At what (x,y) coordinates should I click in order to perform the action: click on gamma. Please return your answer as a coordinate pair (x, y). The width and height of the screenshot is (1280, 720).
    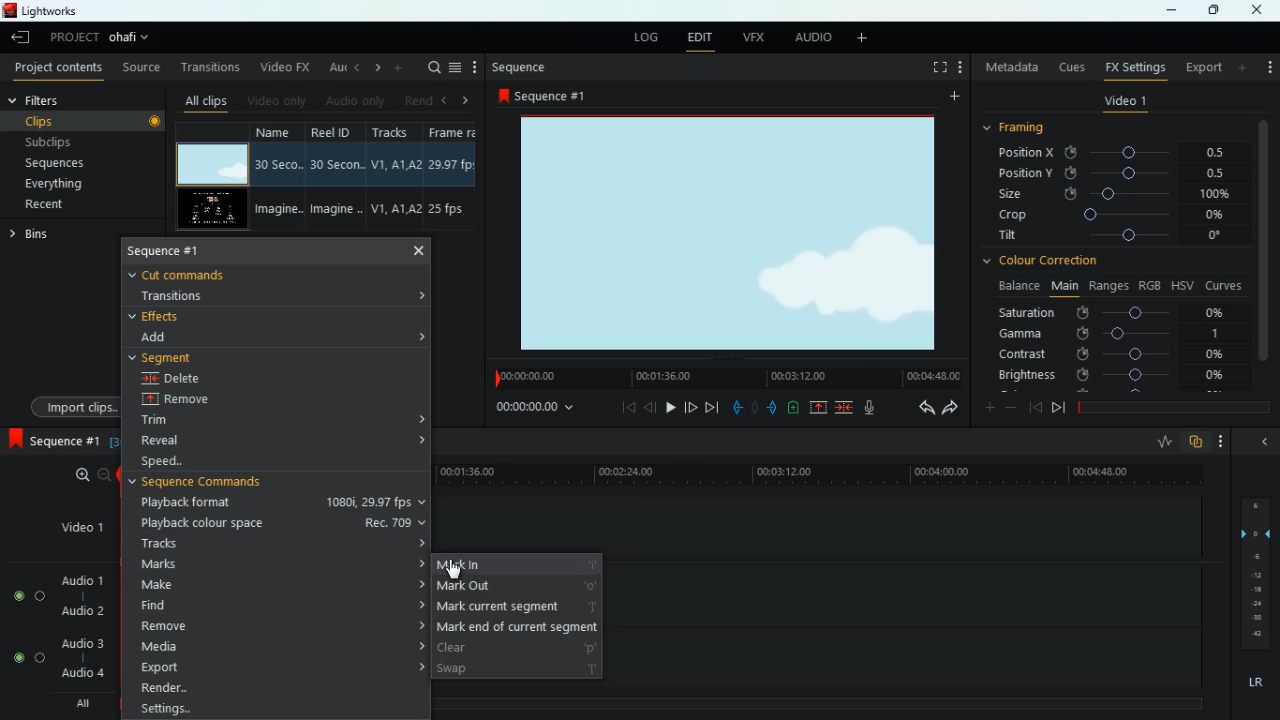
    Looking at the image, I should click on (1122, 334).